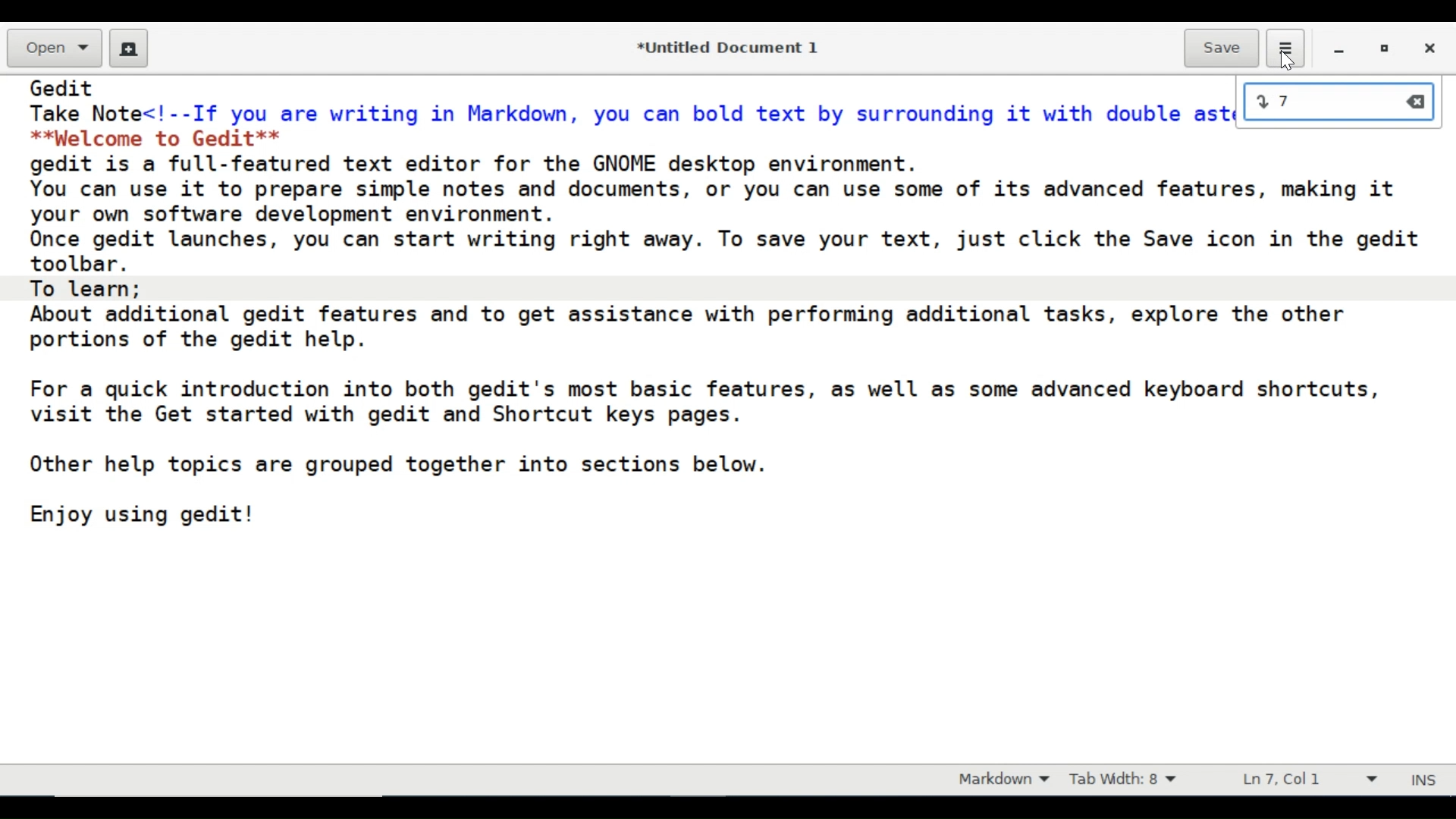 The image size is (1456, 819). Describe the element at coordinates (733, 251) in the screenshot. I see `Once gedit launches, you can start writing right away. To save your text, just click the Save icon in the gedit toolbar.` at that location.